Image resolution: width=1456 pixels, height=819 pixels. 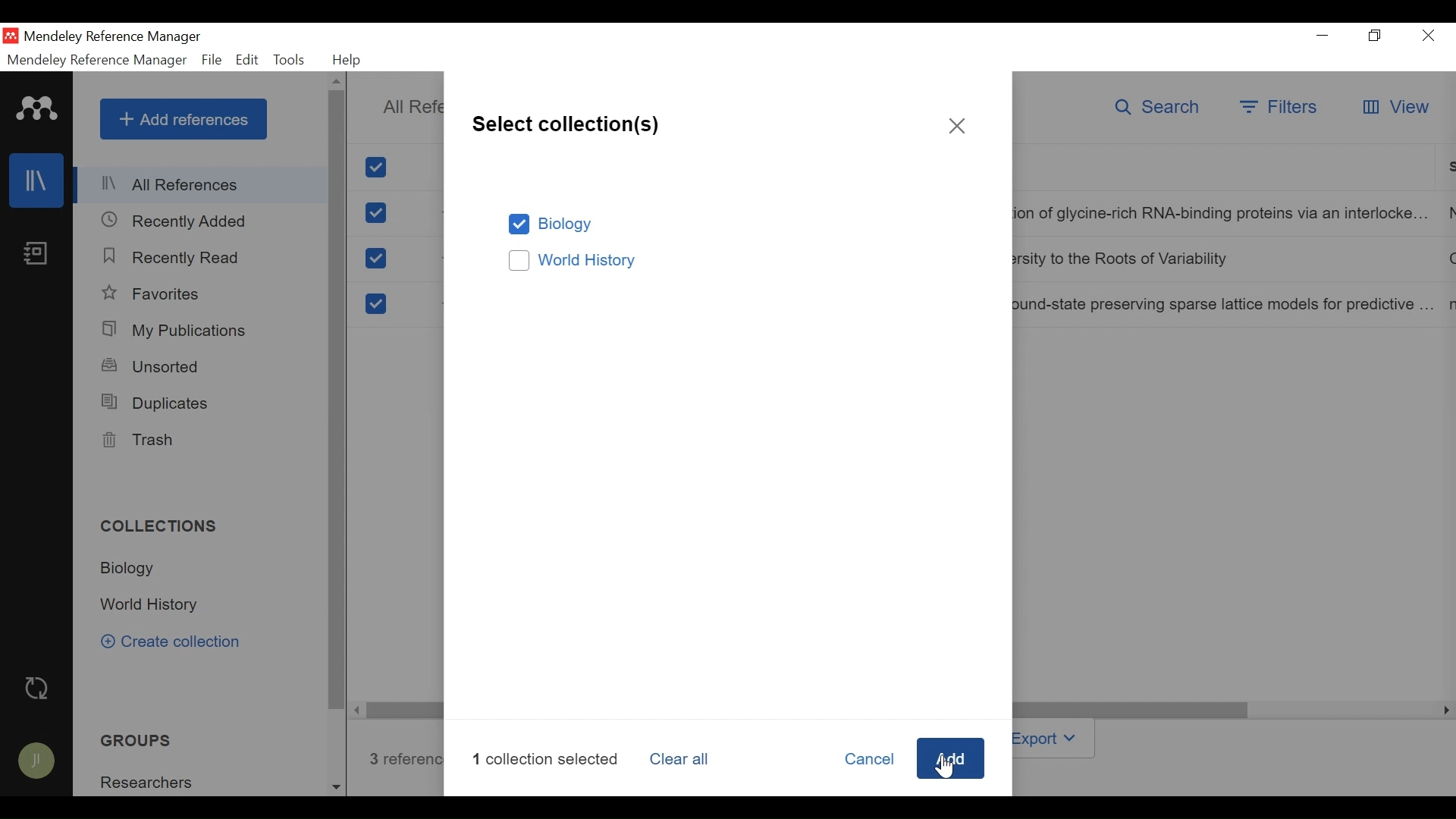 I want to click on Collection, so click(x=154, y=606).